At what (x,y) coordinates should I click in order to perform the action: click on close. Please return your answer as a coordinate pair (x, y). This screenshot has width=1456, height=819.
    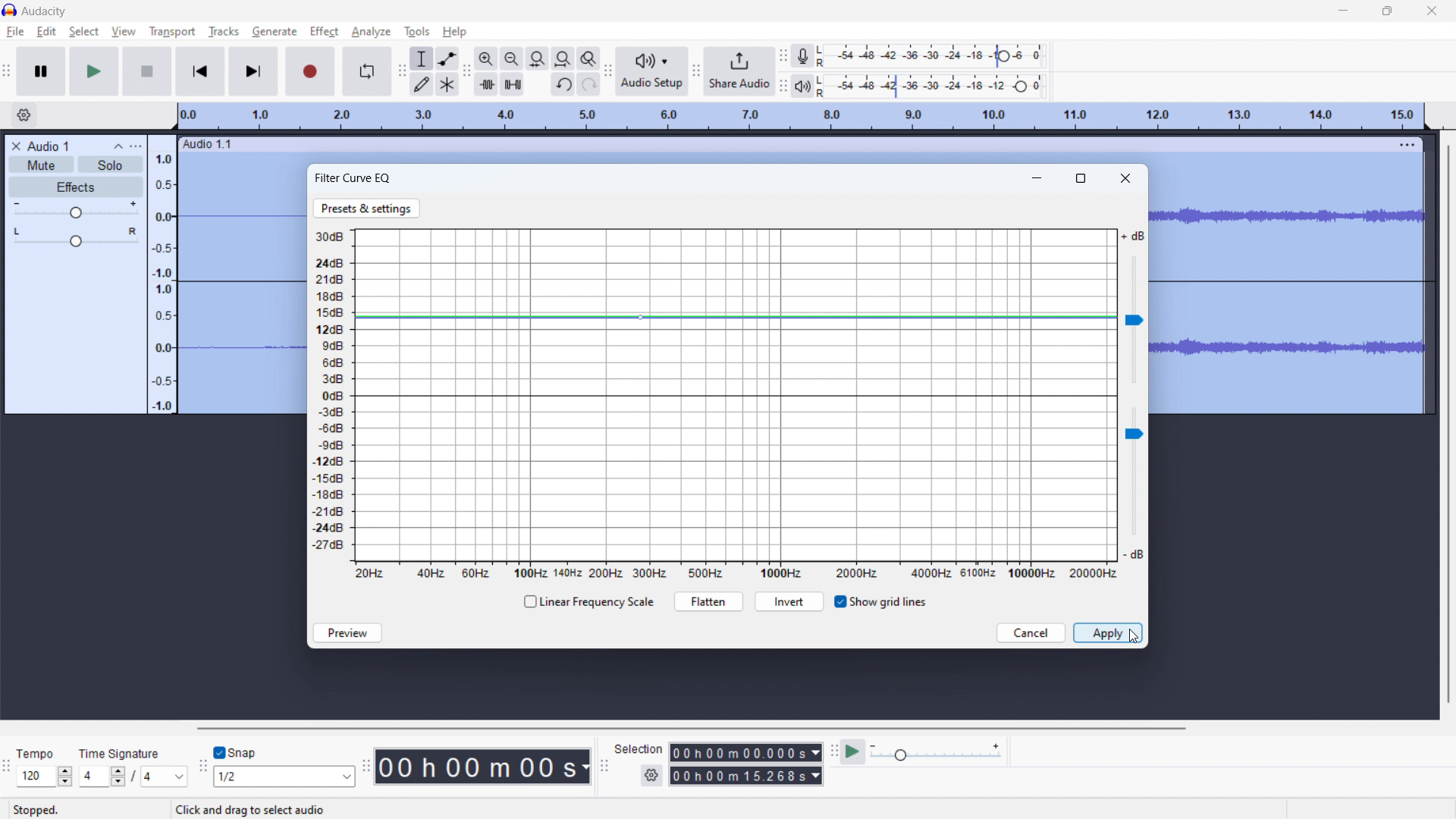
    Looking at the image, I should click on (1126, 177).